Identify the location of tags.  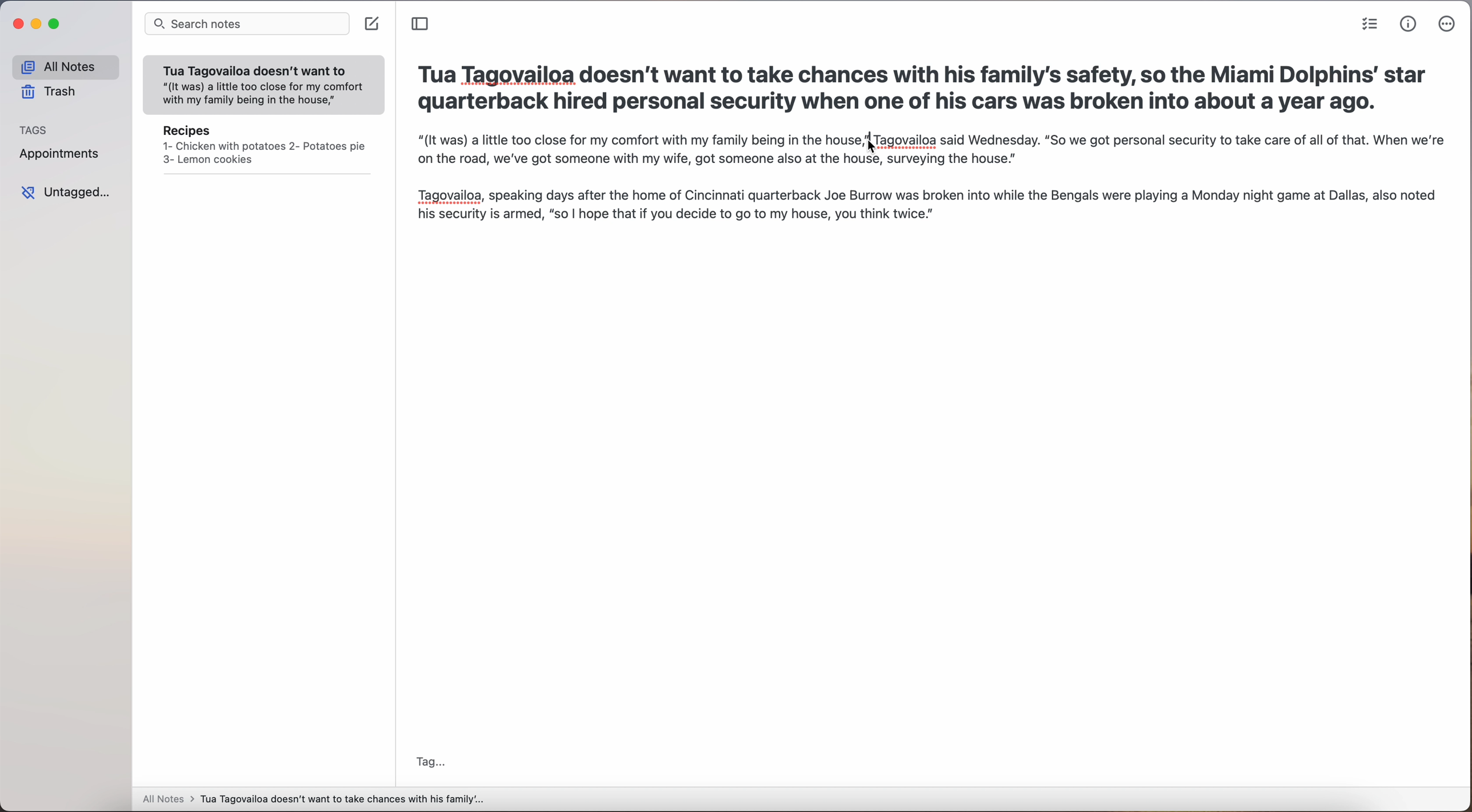
(34, 129).